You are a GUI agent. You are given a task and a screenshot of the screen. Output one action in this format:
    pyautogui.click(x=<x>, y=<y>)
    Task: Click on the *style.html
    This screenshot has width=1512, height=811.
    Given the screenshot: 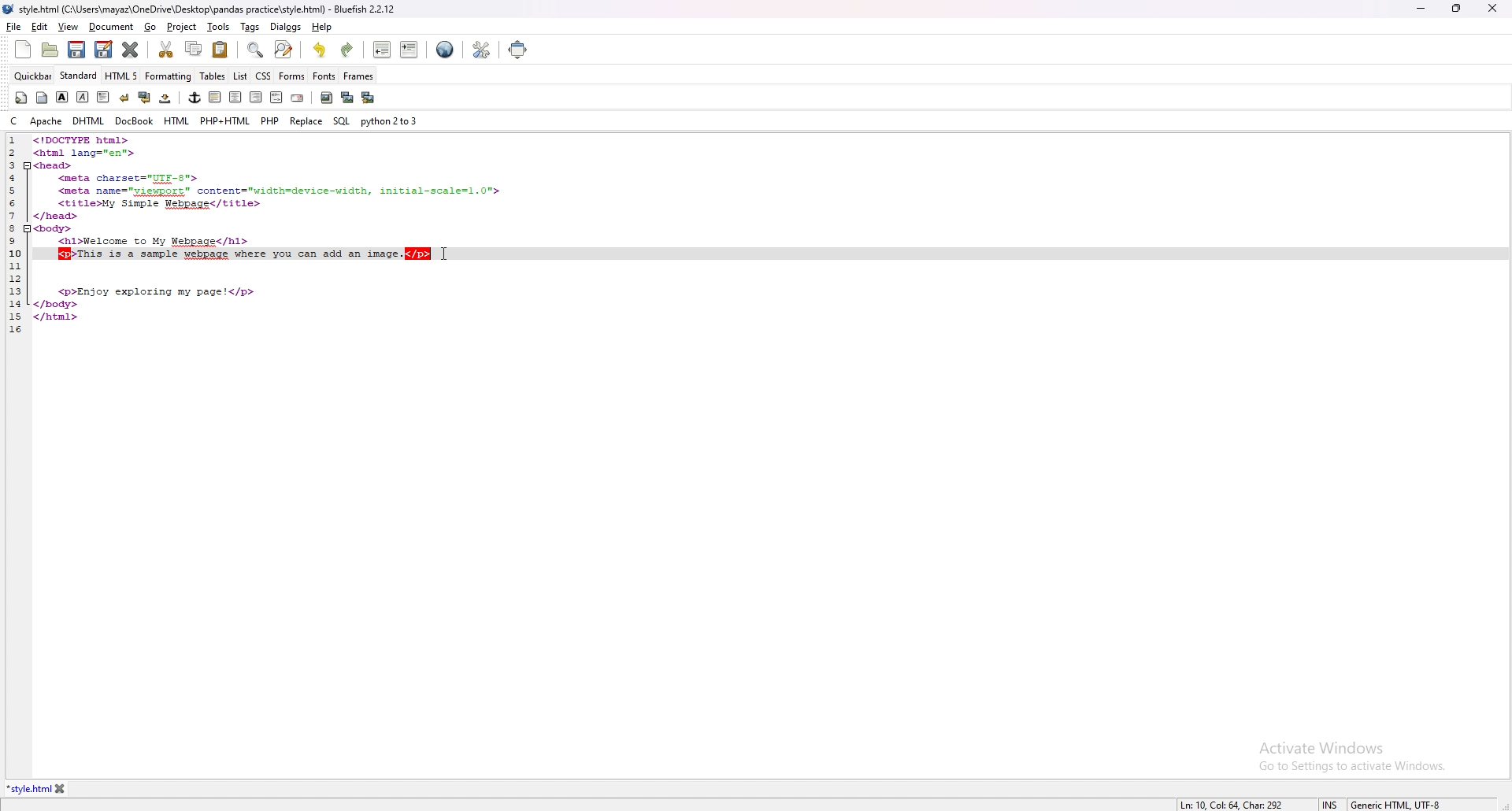 What is the action you would take?
    pyautogui.click(x=28, y=790)
    